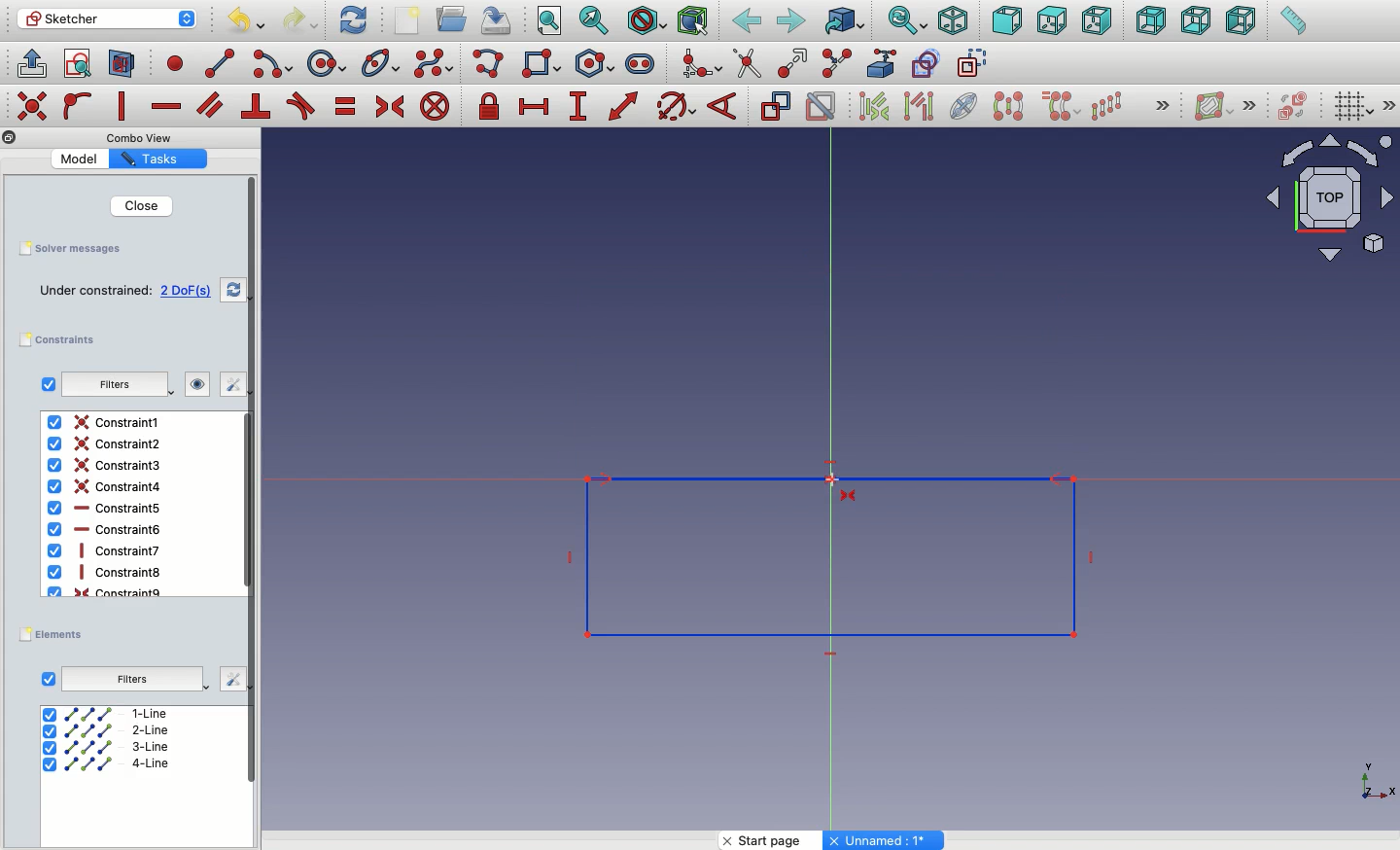  I want to click on Split edge, so click(836, 64).